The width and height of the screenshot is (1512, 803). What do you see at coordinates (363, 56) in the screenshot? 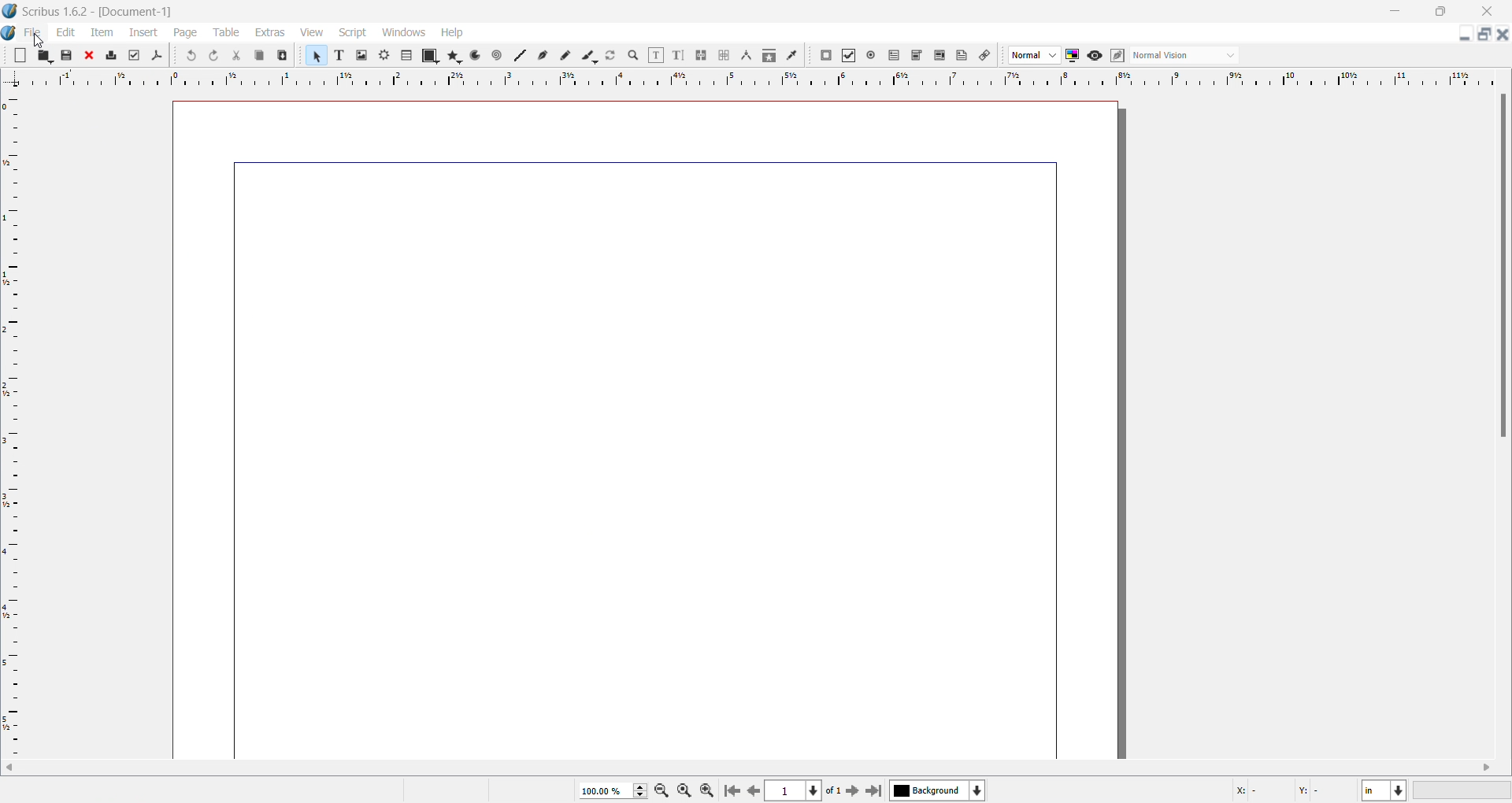
I see `add image` at bounding box center [363, 56].